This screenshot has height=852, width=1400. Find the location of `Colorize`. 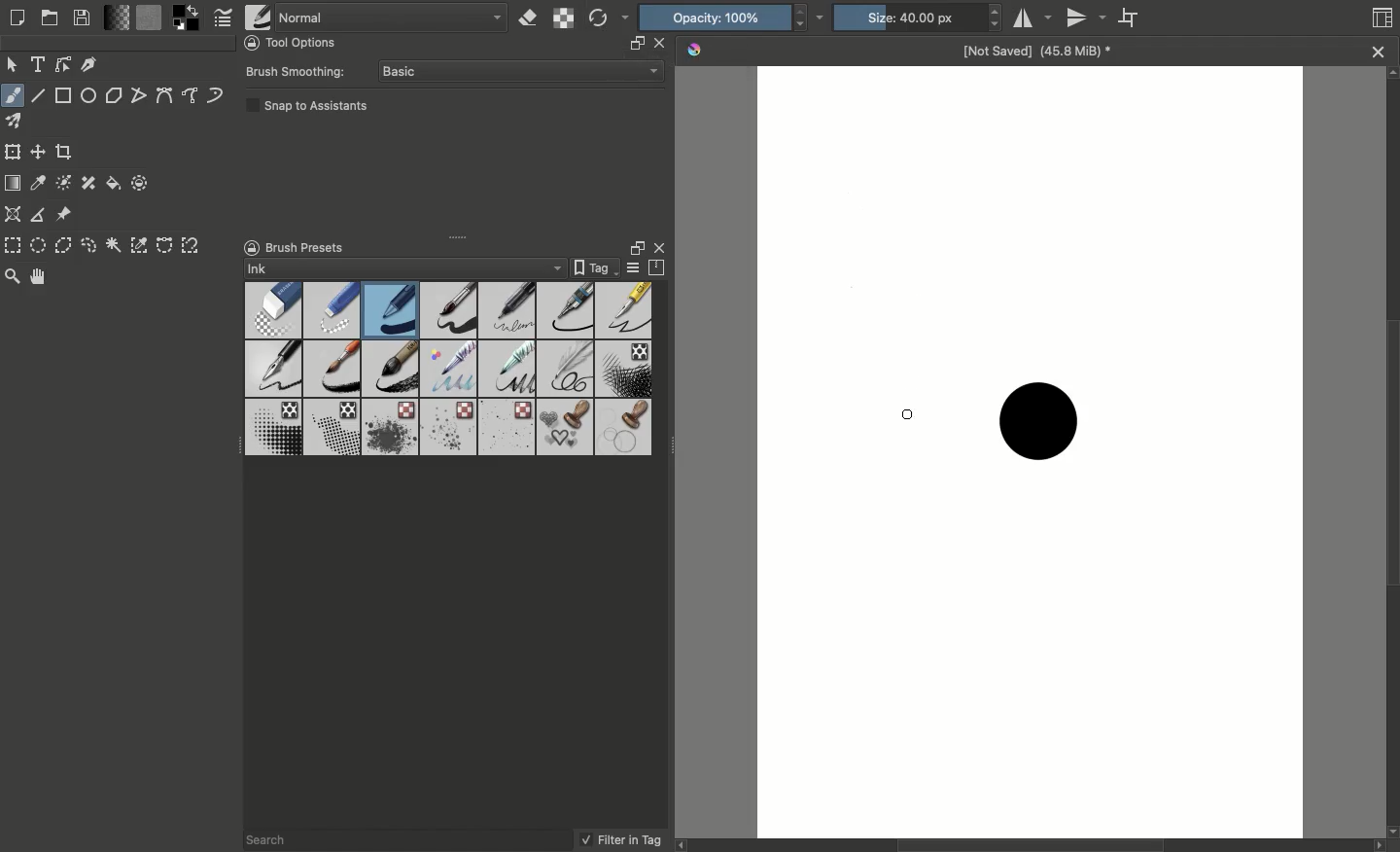

Colorize is located at coordinates (65, 183).